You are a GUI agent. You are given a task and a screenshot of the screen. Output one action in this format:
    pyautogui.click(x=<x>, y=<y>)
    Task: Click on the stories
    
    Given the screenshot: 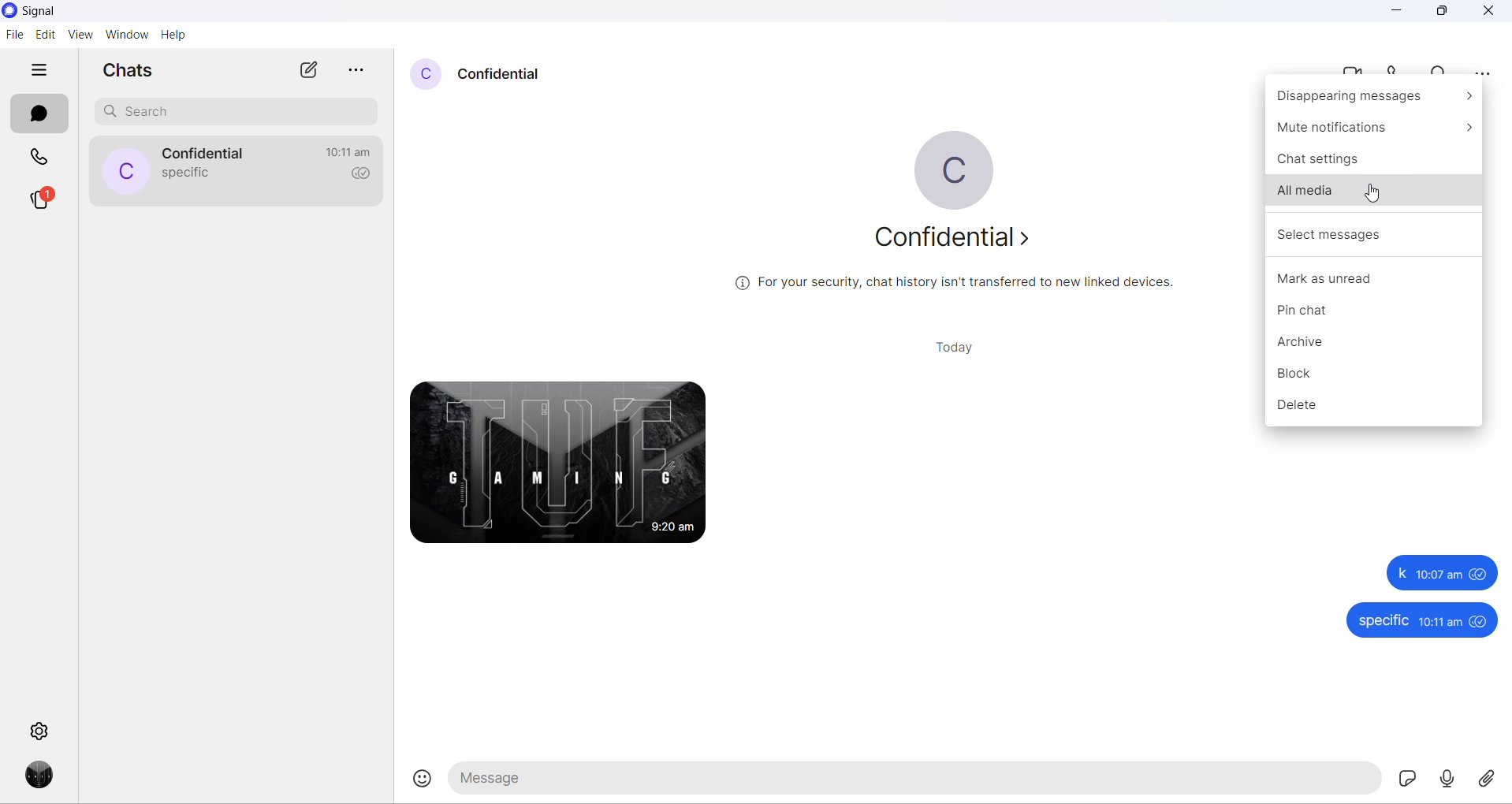 What is the action you would take?
    pyautogui.click(x=42, y=204)
    